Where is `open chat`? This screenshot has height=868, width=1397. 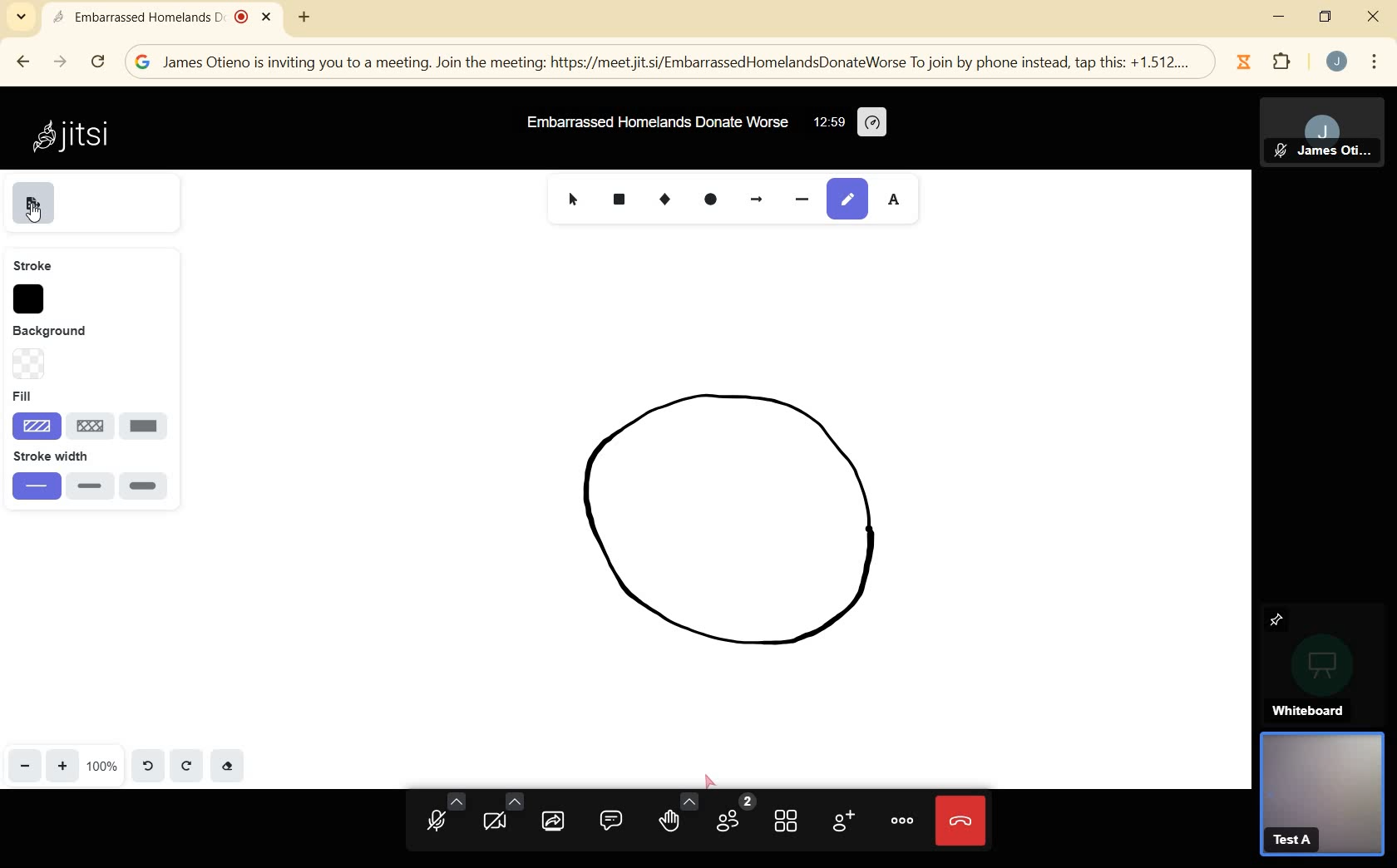
open chat is located at coordinates (612, 821).